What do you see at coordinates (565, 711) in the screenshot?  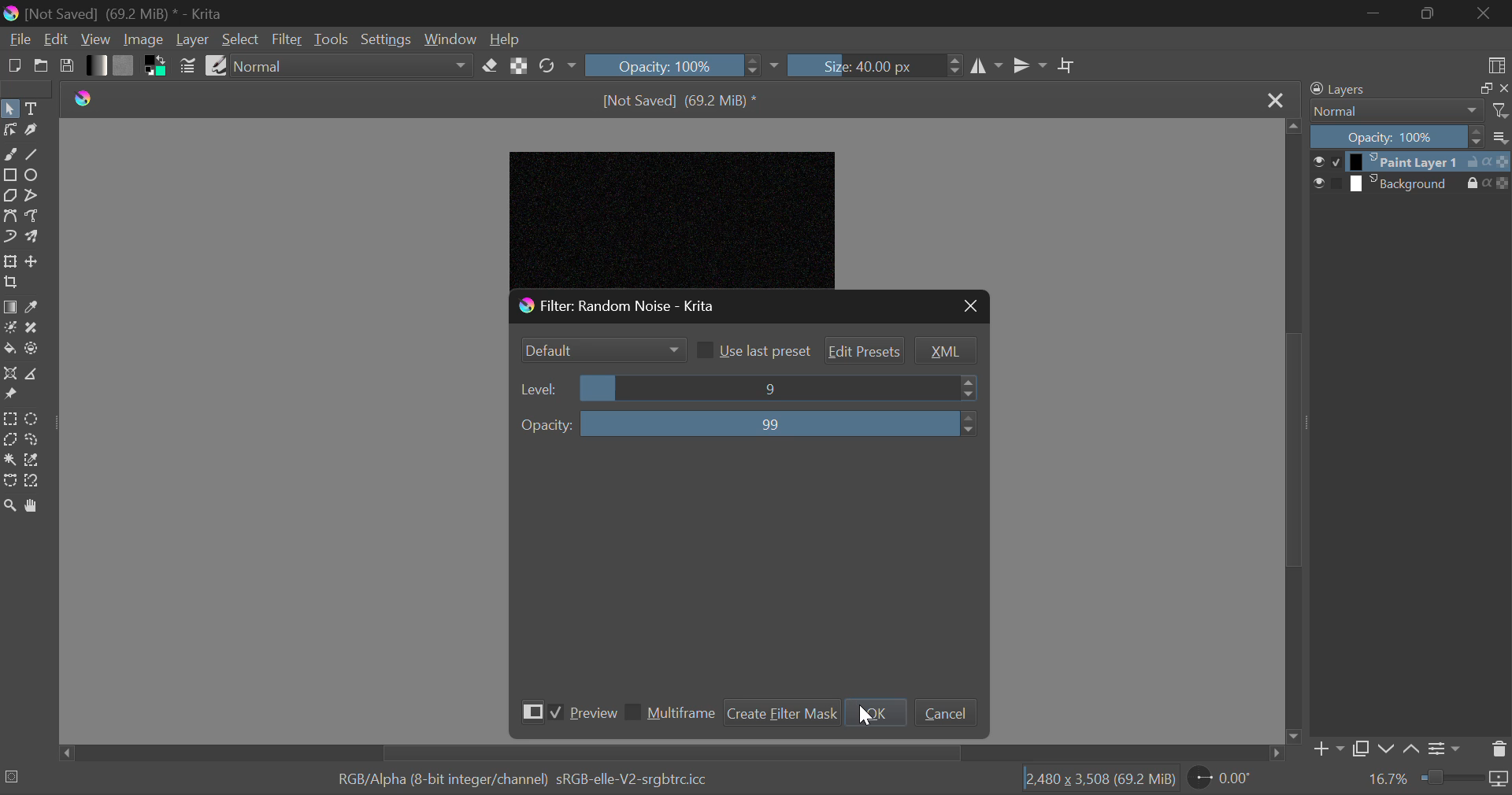 I see `Preview` at bounding box center [565, 711].